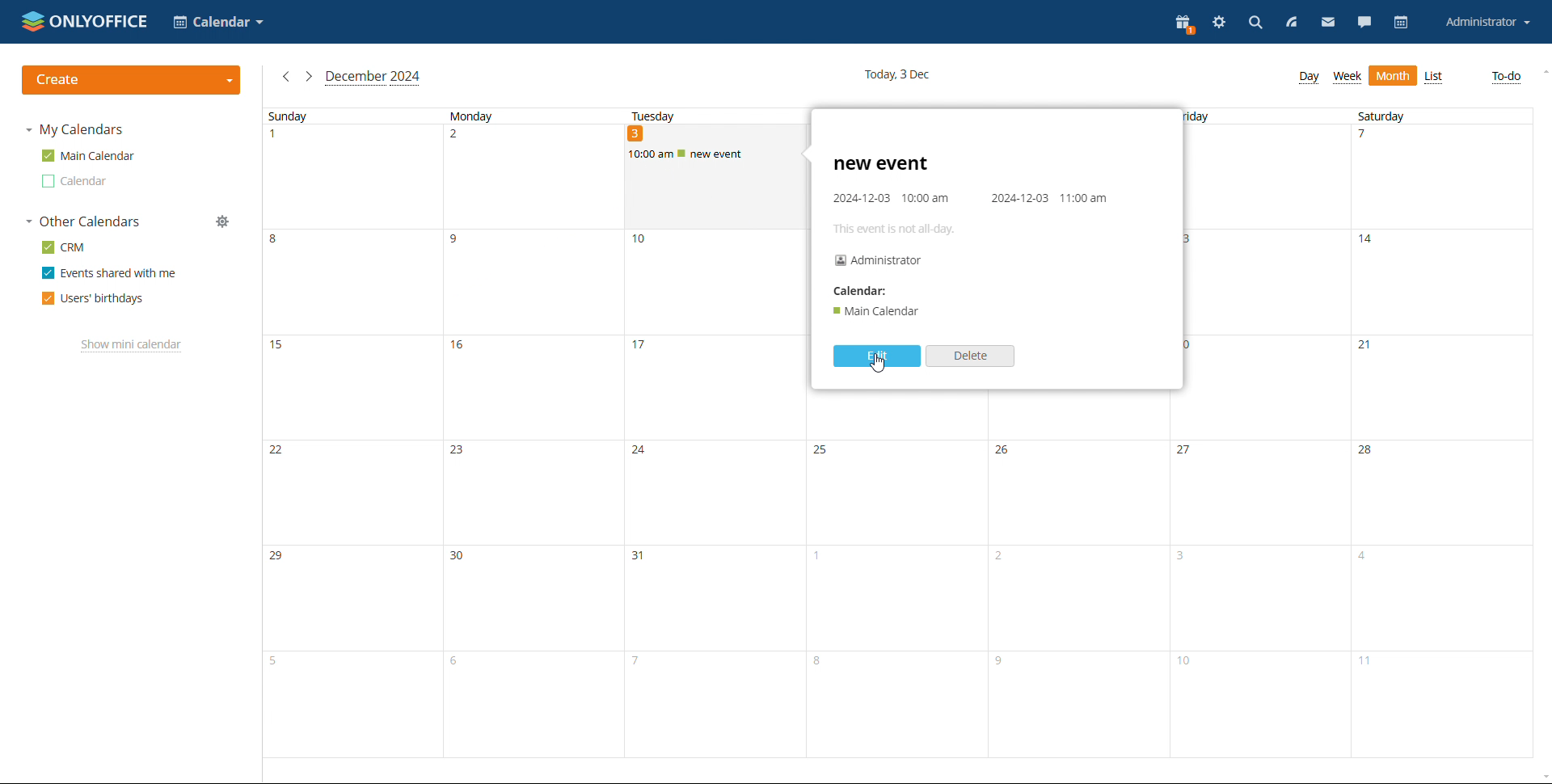 The height and width of the screenshot is (784, 1552). I want to click on 20, so click(1268, 387).